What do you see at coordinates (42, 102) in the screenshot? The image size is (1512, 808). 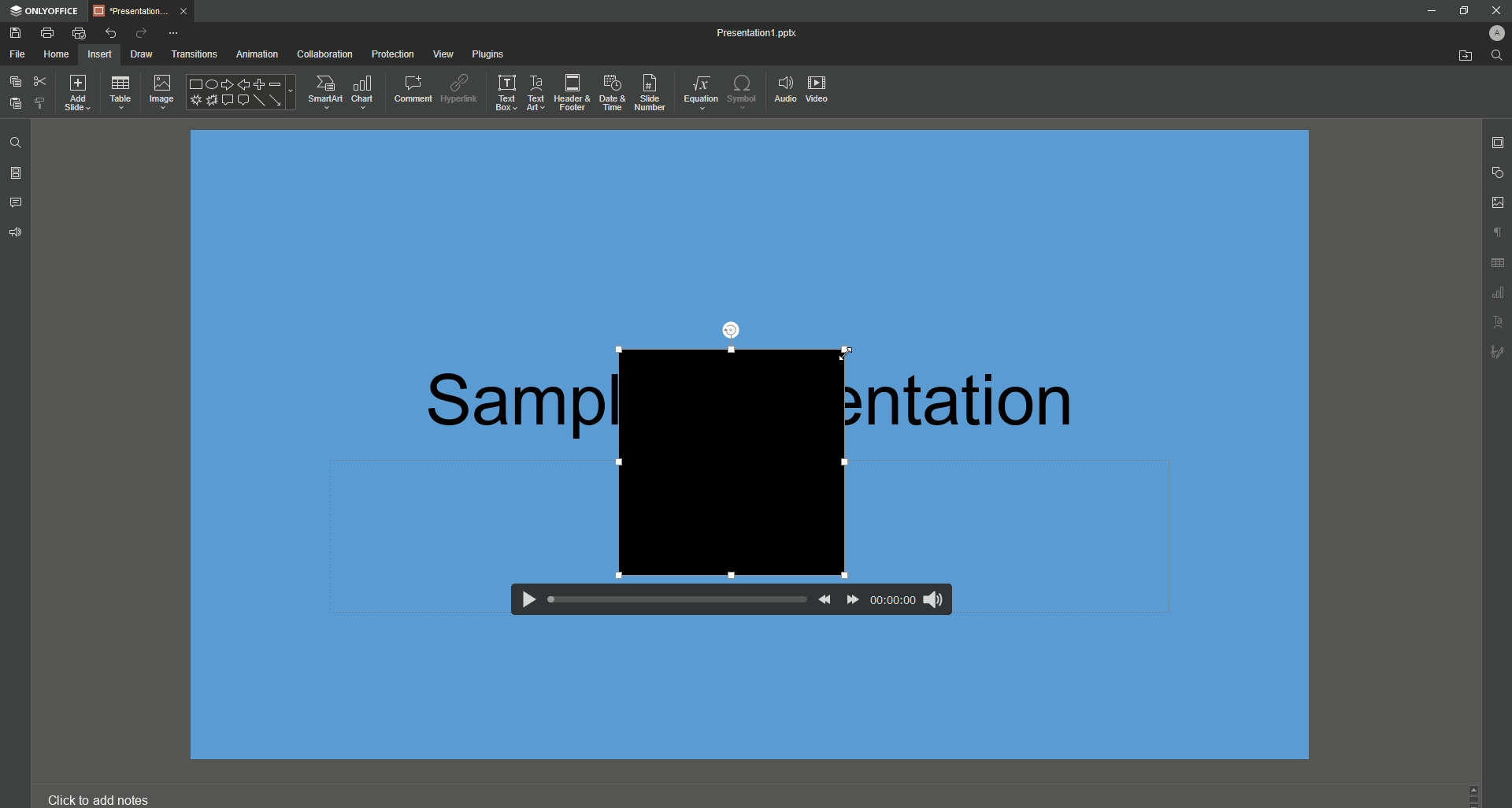 I see `Choose Styling` at bounding box center [42, 102].